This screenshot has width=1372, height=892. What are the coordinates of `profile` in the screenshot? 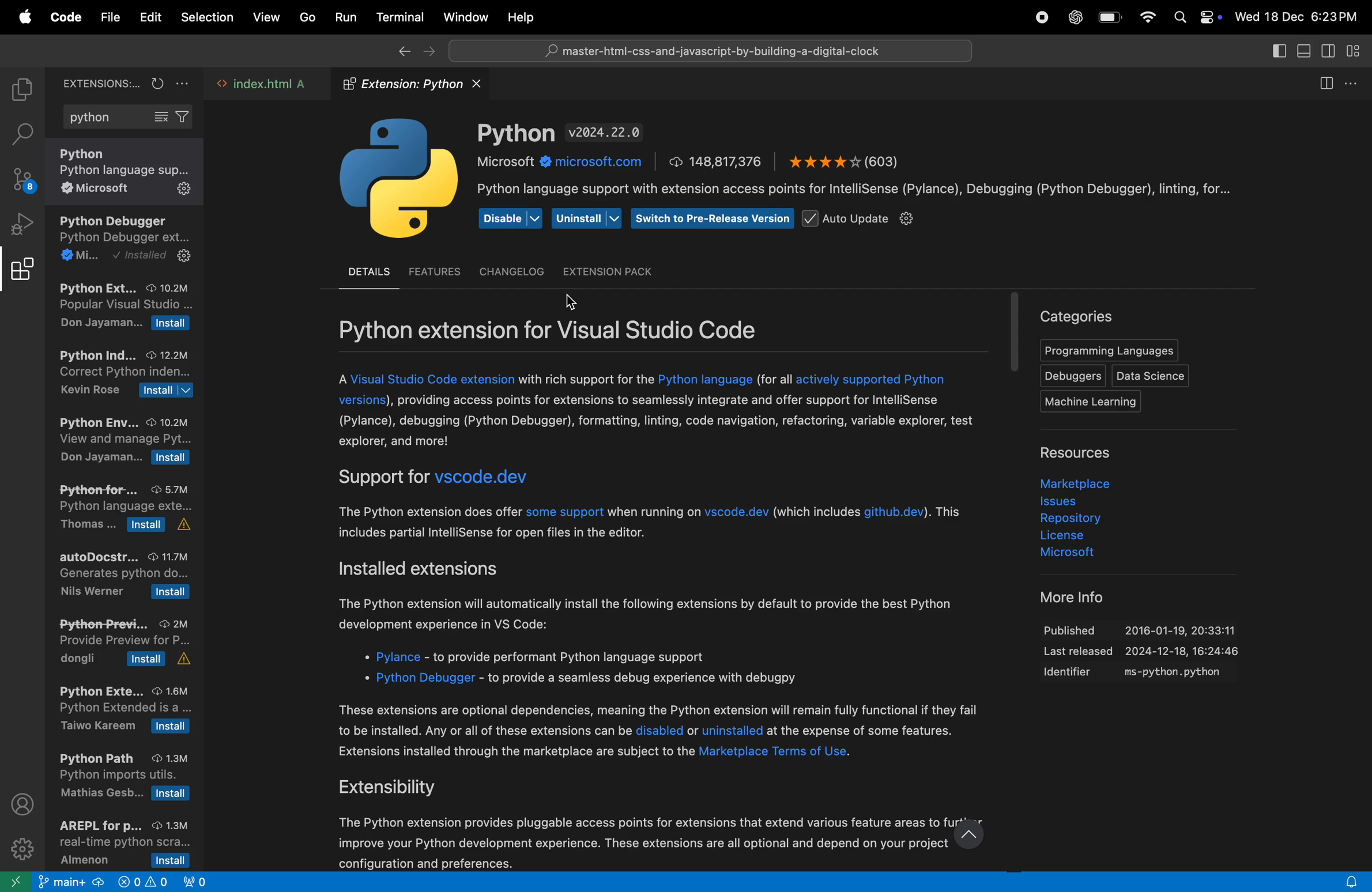 It's located at (25, 804).